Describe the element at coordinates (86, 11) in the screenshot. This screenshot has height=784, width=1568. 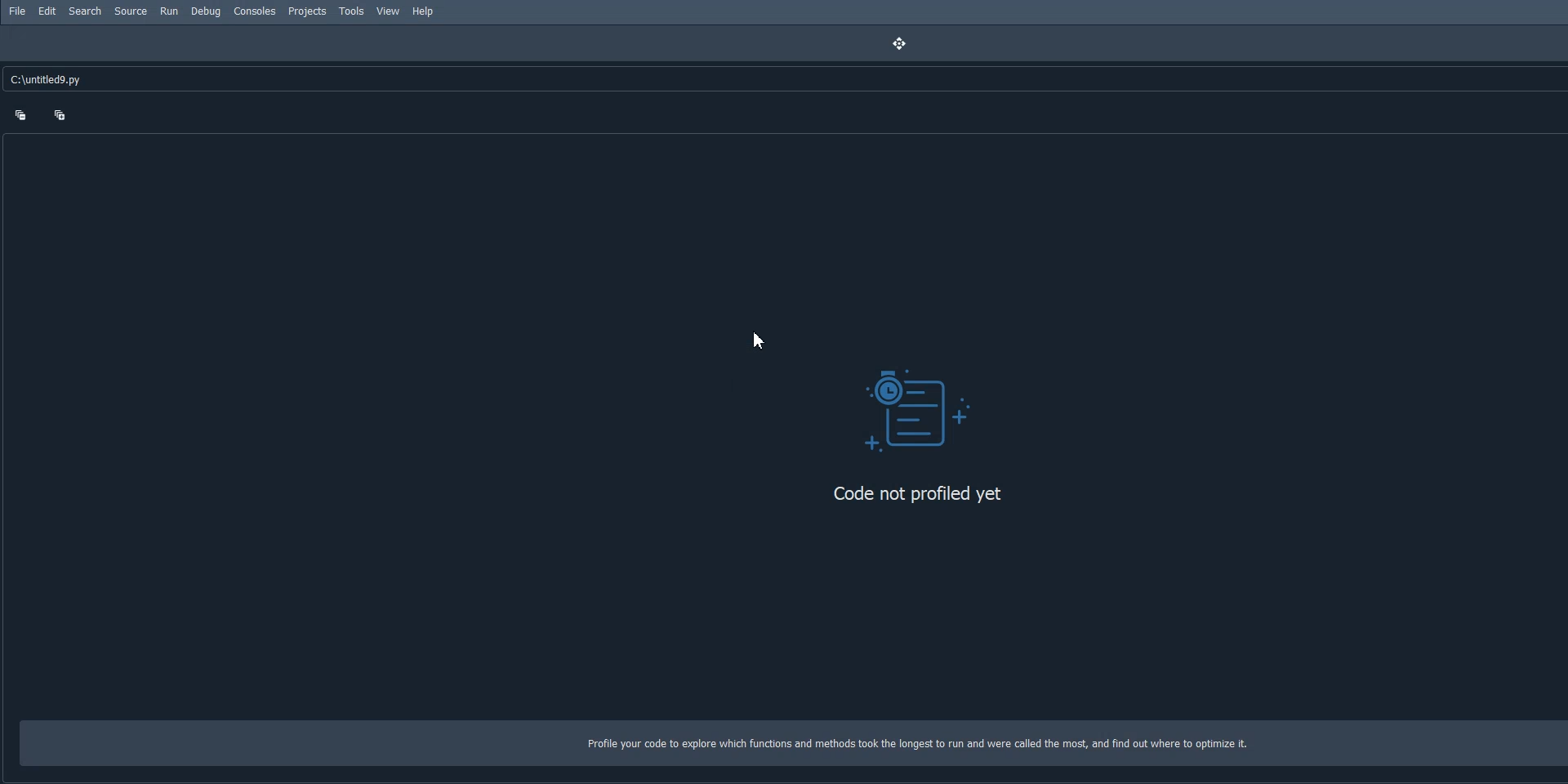
I see `Search` at that location.